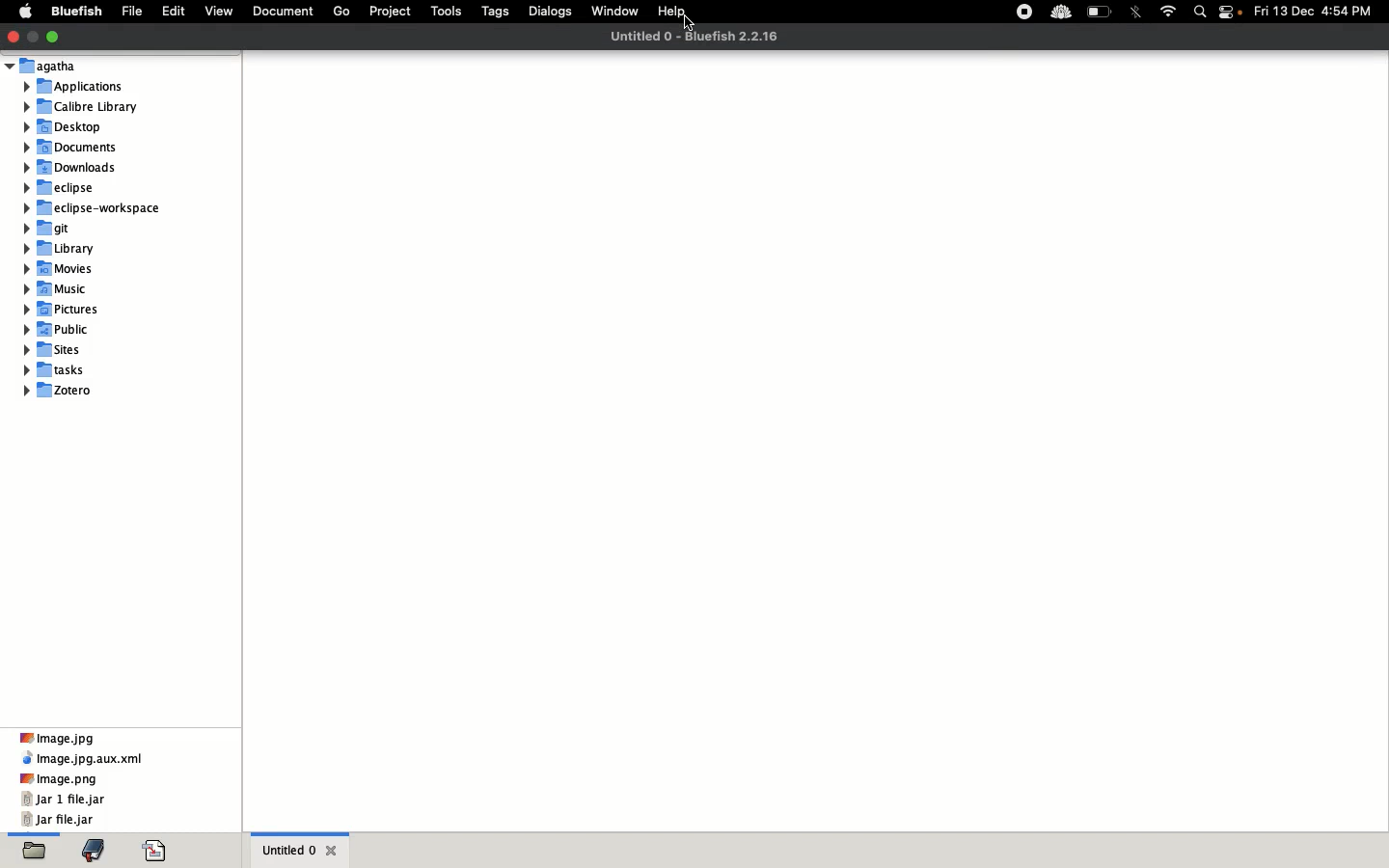  Describe the element at coordinates (81, 106) in the screenshot. I see `calibre library` at that location.